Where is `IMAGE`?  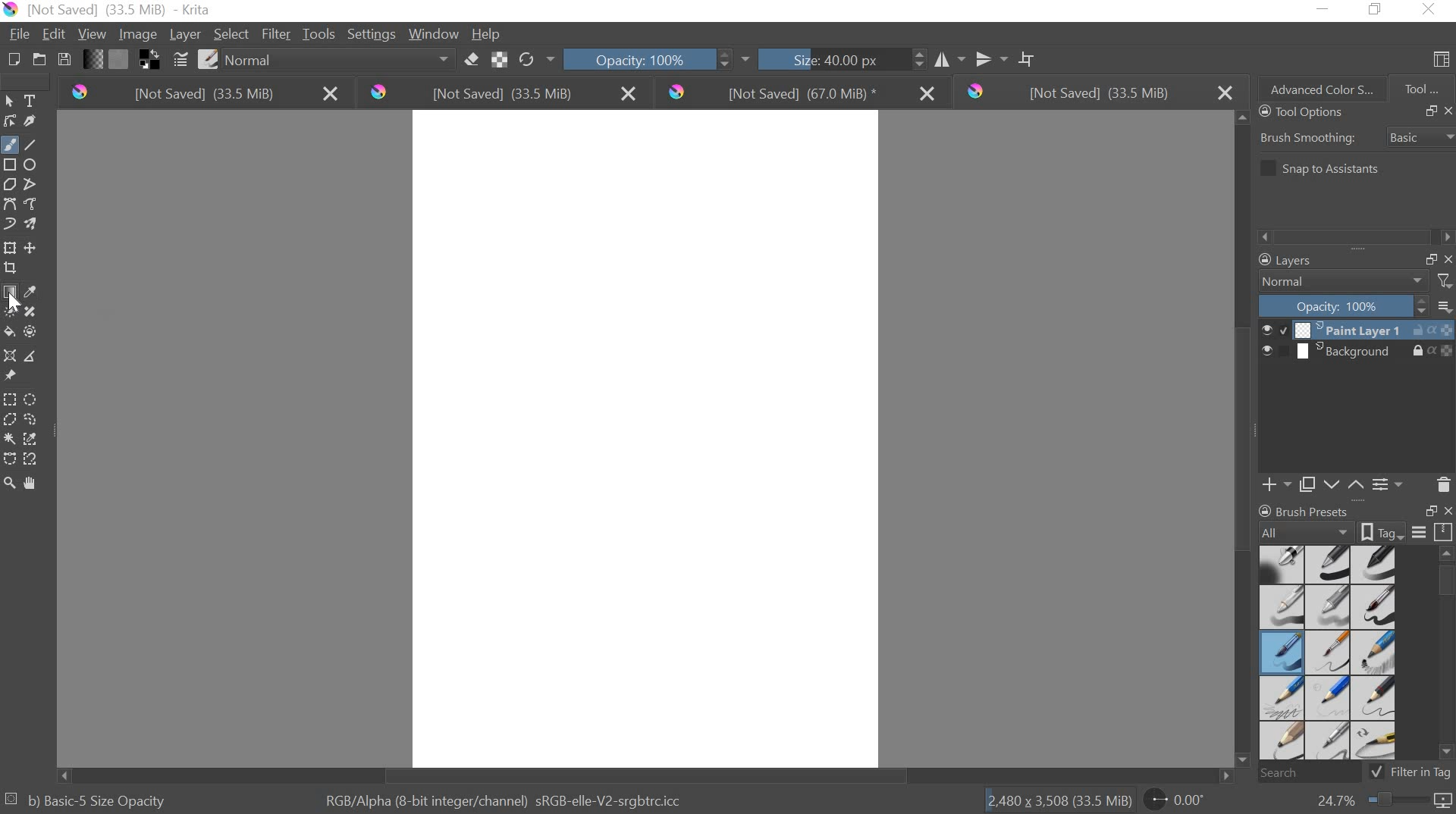
IMAGE is located at coordinates (138, 36).